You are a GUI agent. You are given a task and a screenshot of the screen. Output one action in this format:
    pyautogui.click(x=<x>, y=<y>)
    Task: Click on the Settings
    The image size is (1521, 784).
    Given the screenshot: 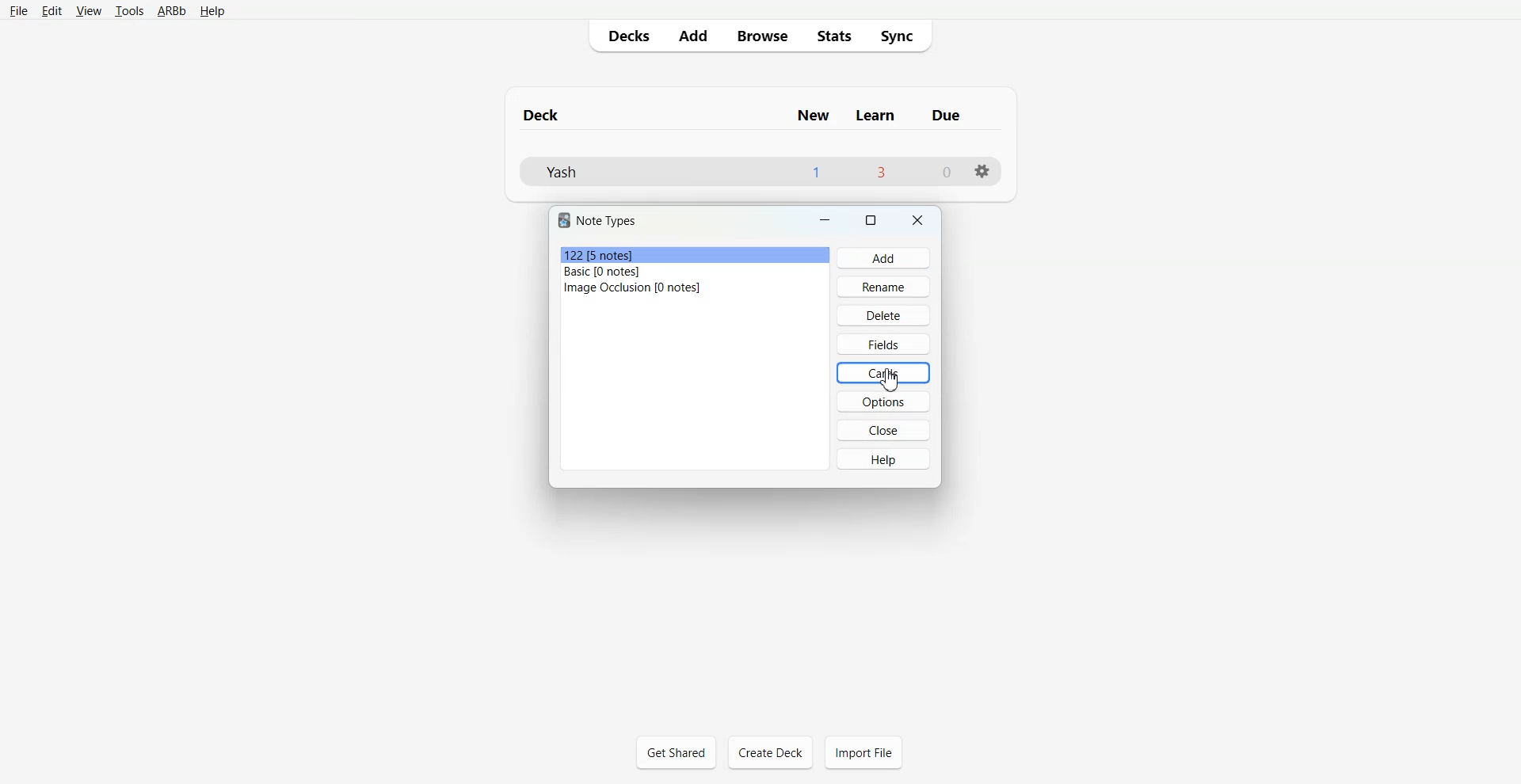 What is the action you would take?
    pyautogui.click(x=982, y=171)
    